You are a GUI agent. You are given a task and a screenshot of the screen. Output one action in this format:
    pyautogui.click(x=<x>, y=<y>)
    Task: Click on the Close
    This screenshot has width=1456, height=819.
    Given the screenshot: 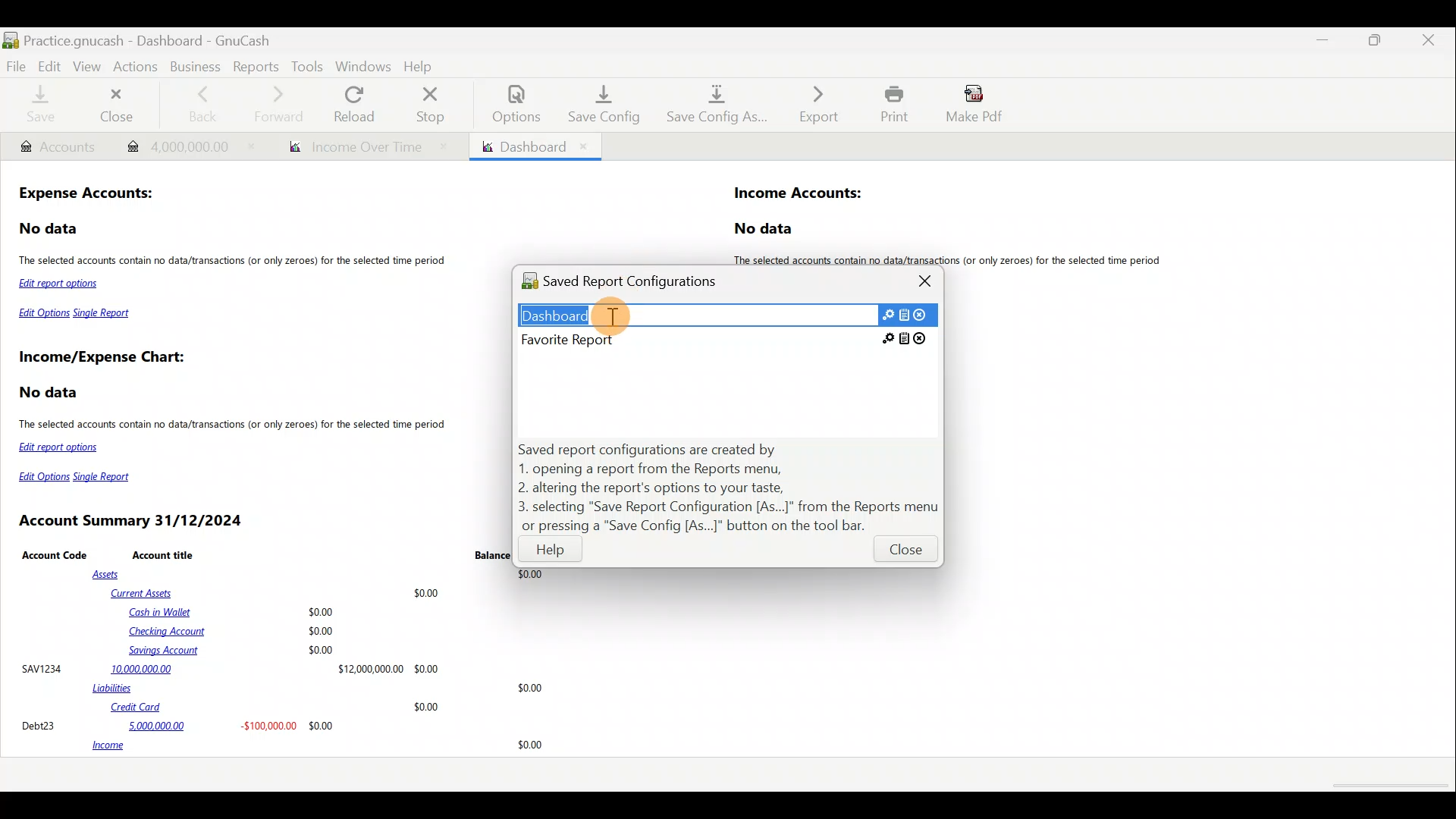 What is the action you would take?
    pyautogui.click(x=120, y=105)
    